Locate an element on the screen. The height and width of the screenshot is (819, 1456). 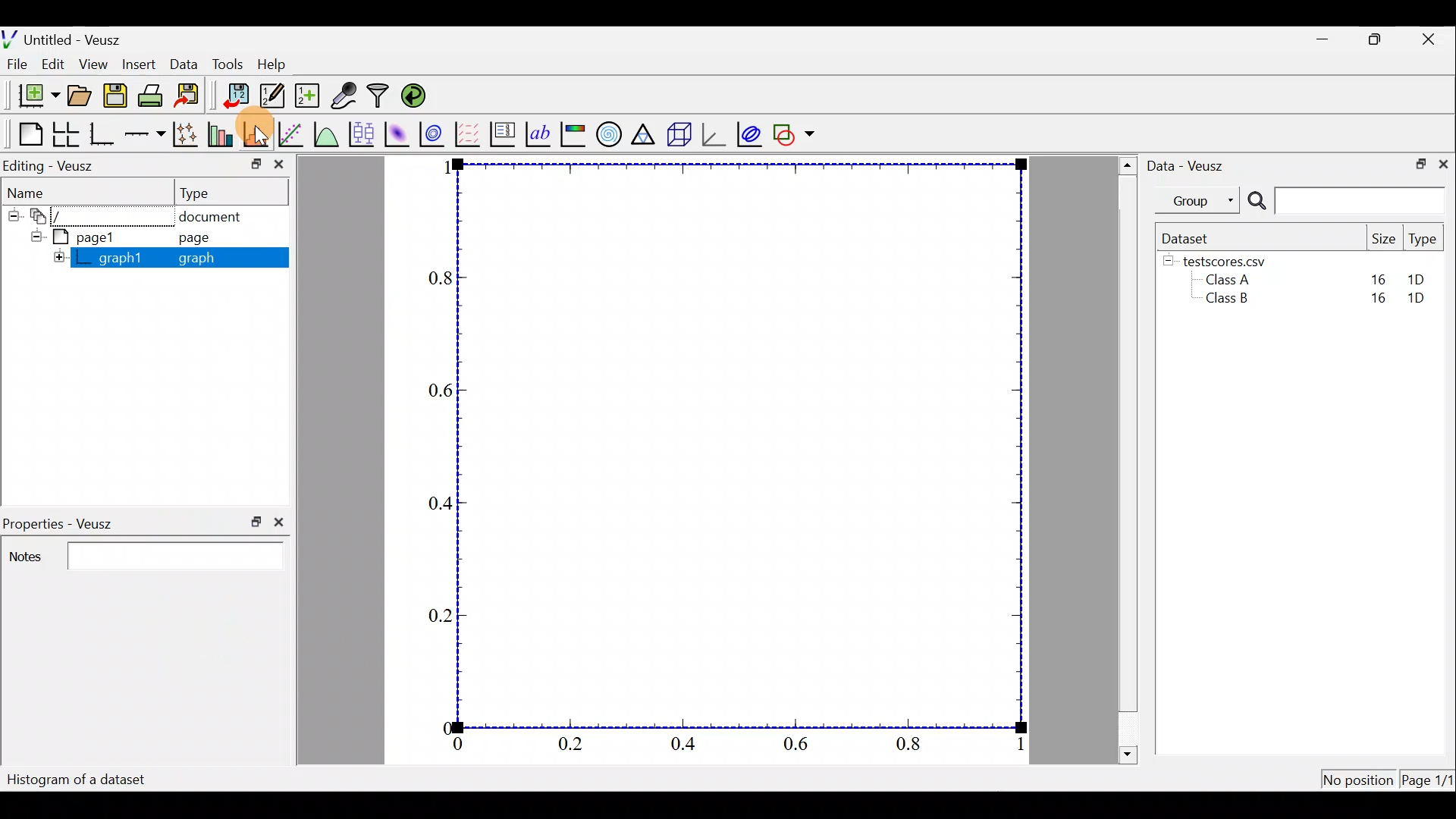
graph plot area is located at coordinates (748, 447).